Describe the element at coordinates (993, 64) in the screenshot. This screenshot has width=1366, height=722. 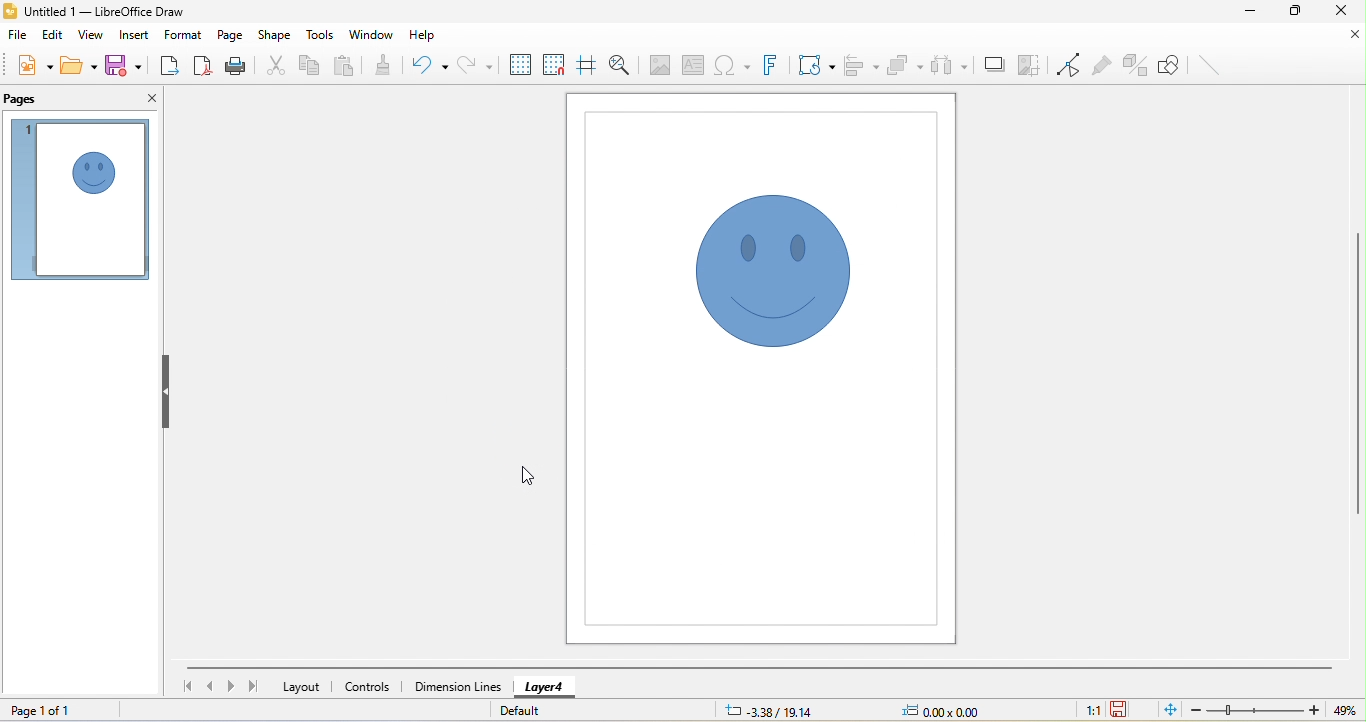
I see `shadow` at that location.